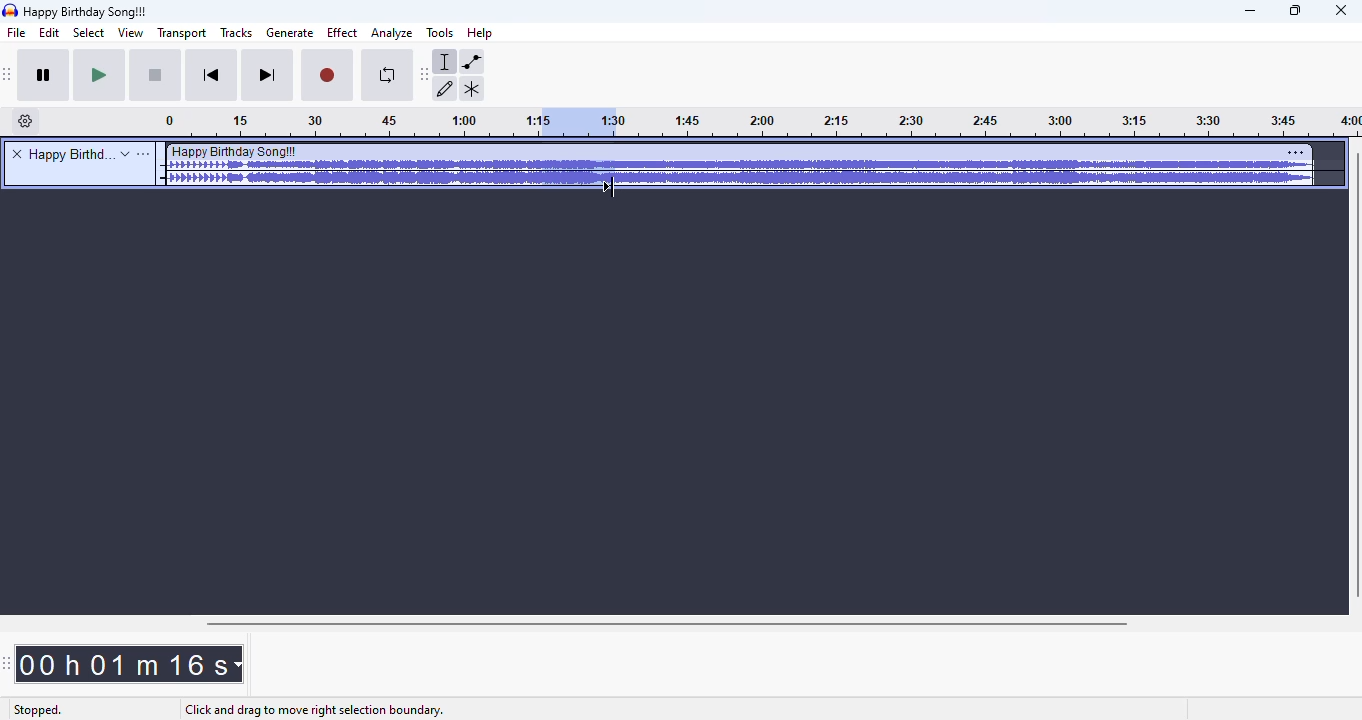 The image size is (1362, 720). I want to click on title, so click(87, 12).